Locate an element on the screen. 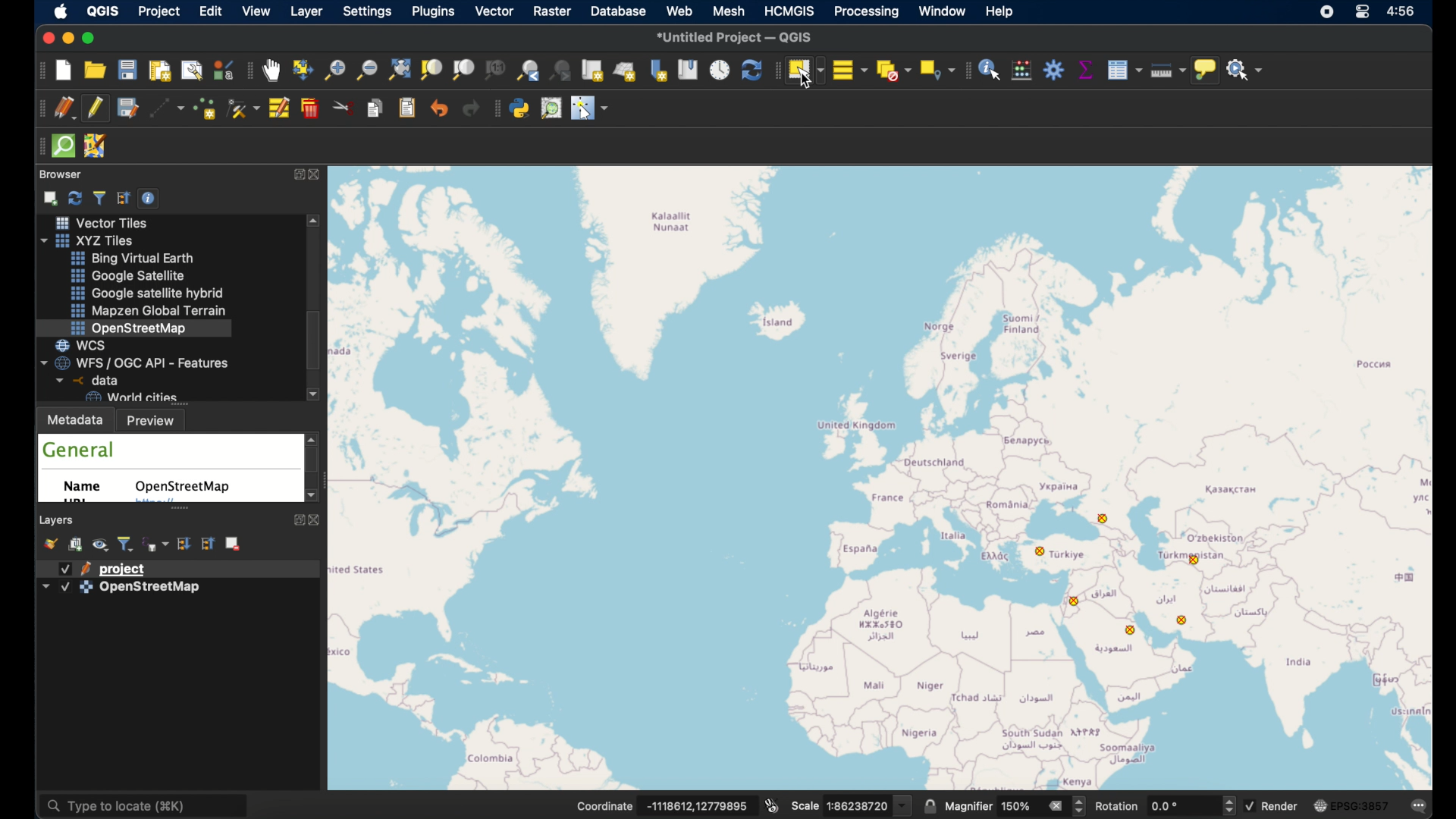 The height and width of the screenshot is (819, 1456). temporal controller panel is located at coordinates (720, 69).